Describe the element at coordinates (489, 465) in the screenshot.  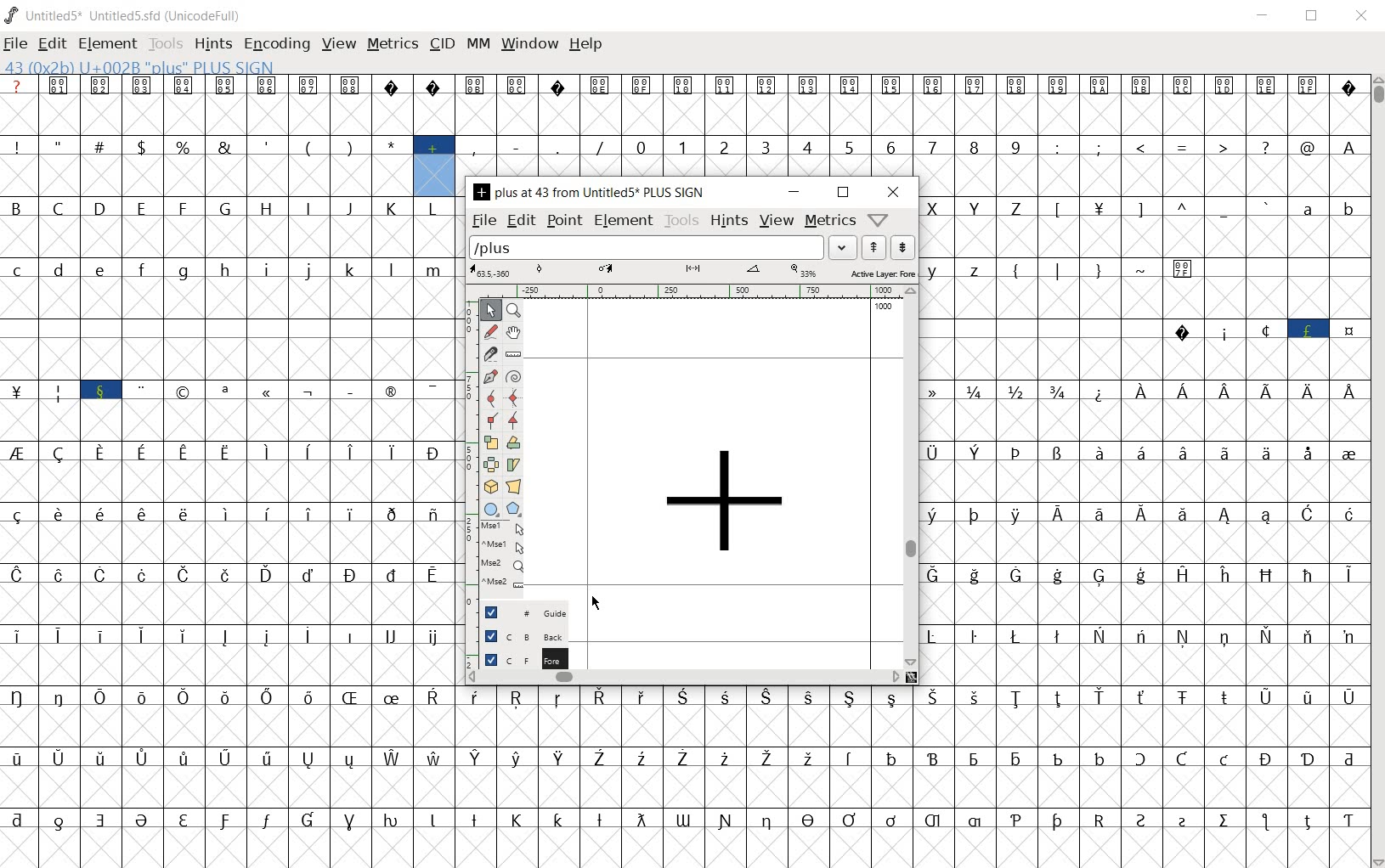
I see `flip the selection` at that location.